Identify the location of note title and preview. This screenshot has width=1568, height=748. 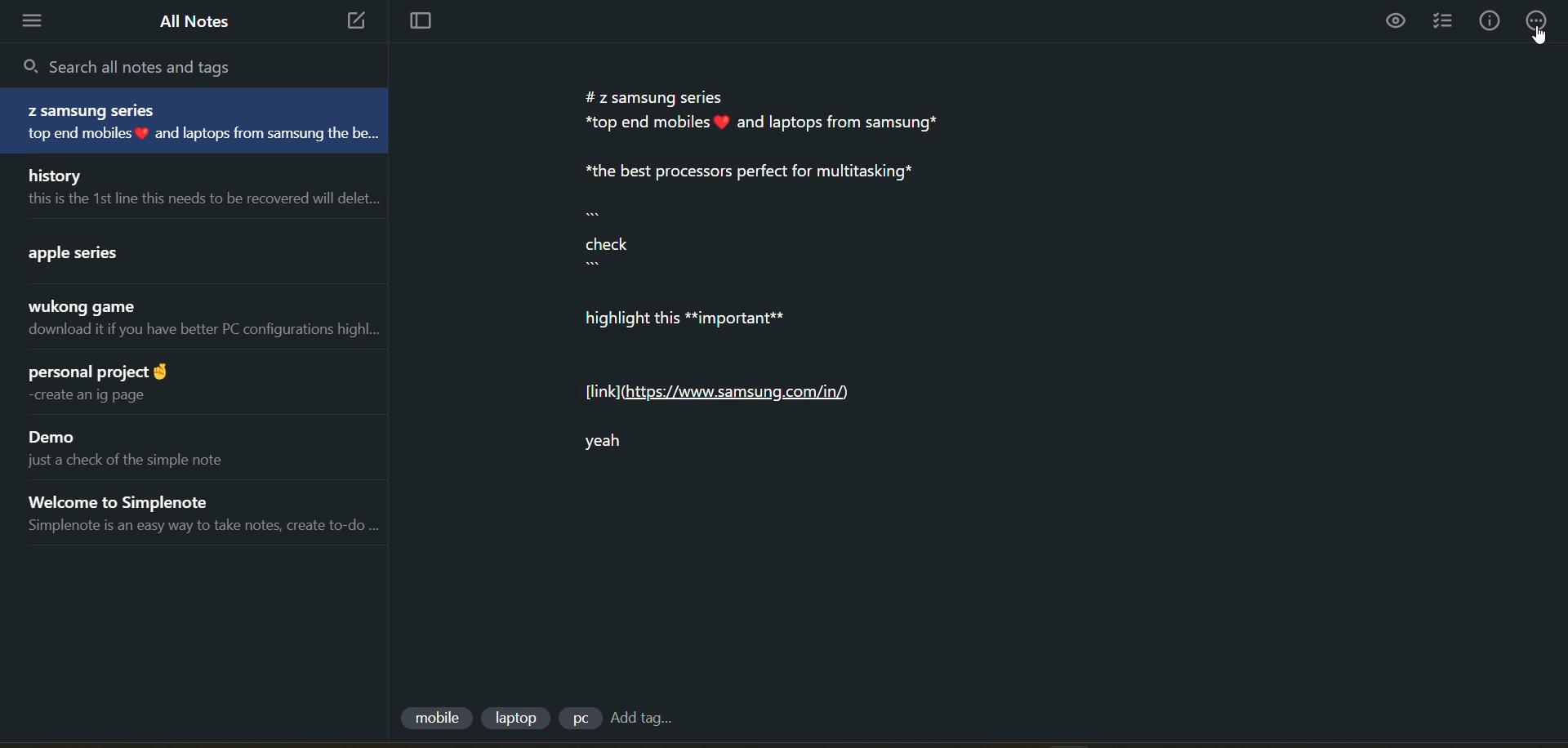
(186, 446).